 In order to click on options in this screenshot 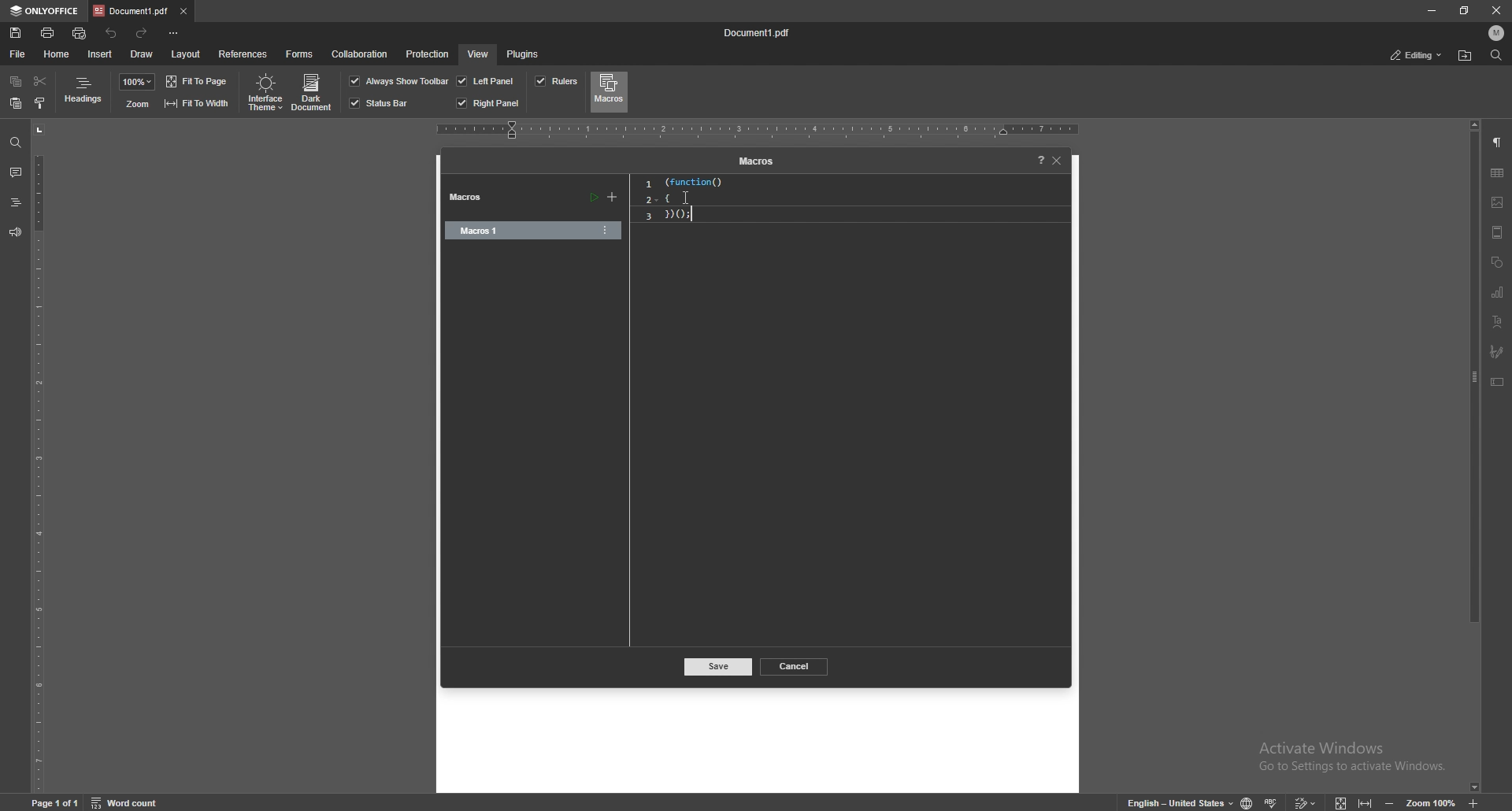, I will do `click(606, 230)`.